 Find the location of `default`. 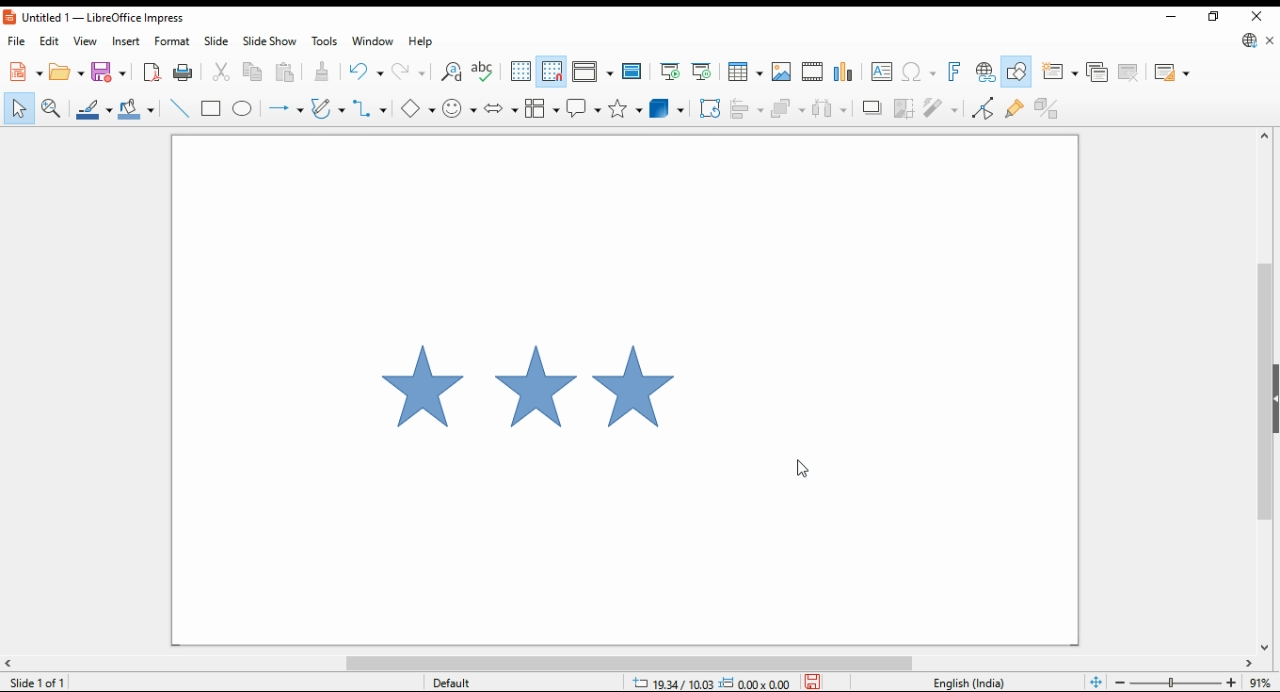

default is located at coordinates (474, 681).